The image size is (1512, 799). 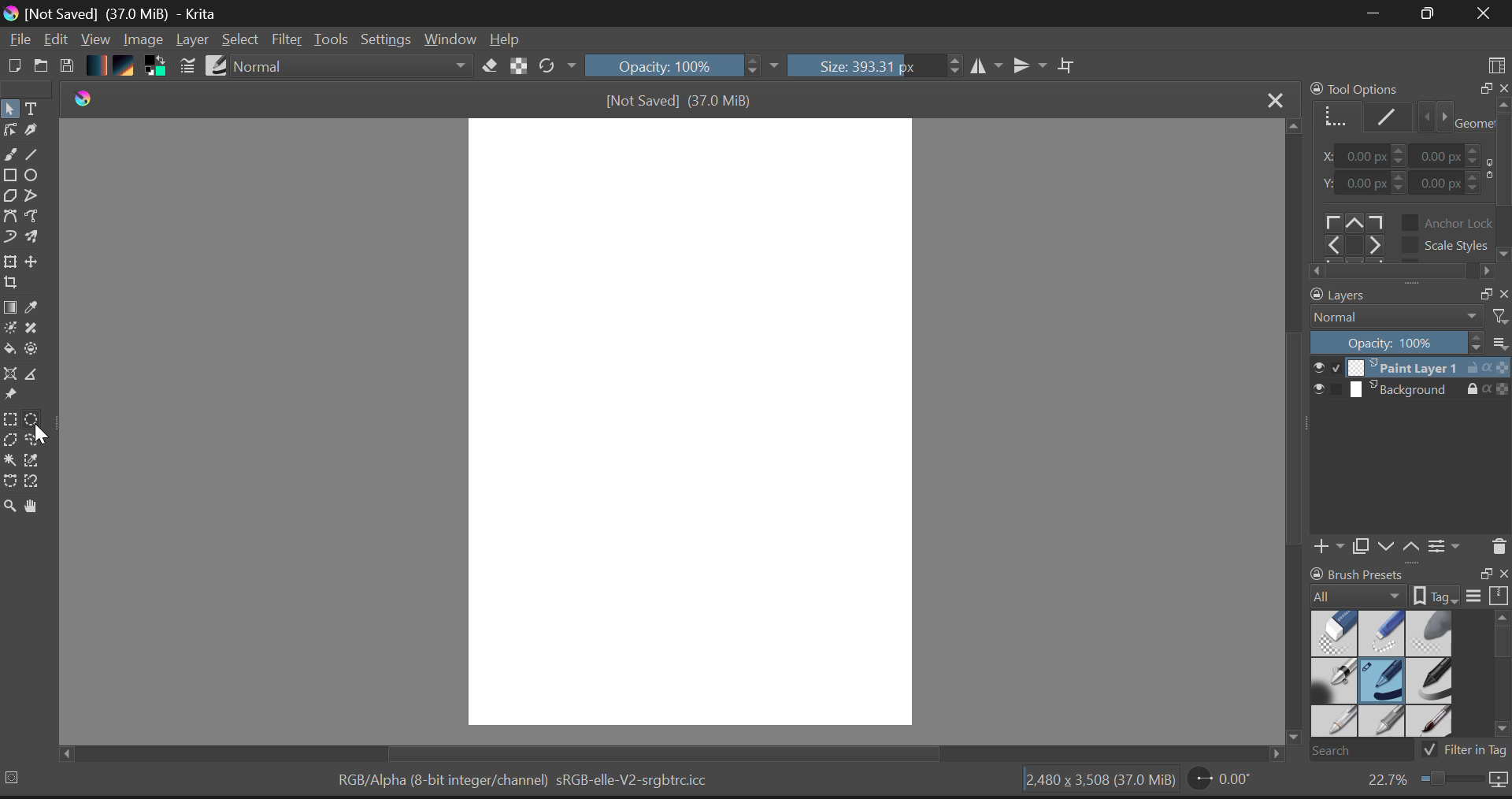 What do you see at coordinates (13, 156) in the screenshot?
I see `freehand curve` at bounding box center [13, 156].